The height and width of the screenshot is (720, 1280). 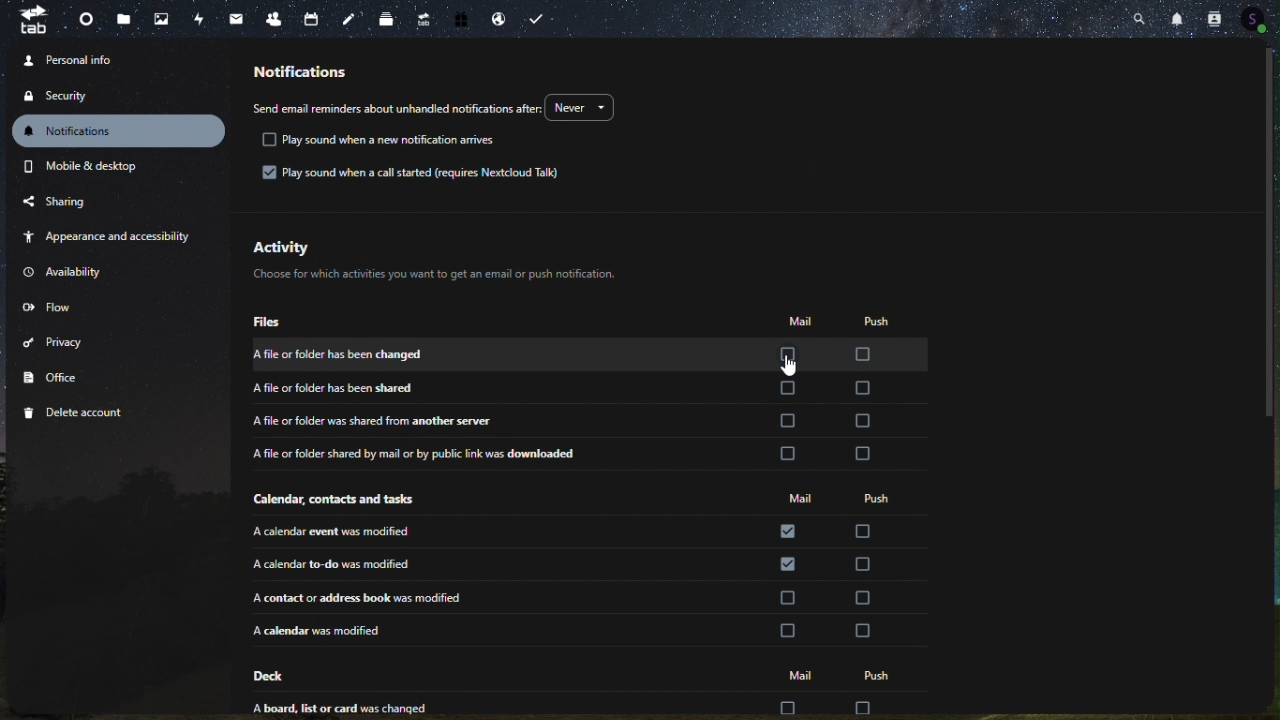 I want to click on check box, so click(x=791, y=631).